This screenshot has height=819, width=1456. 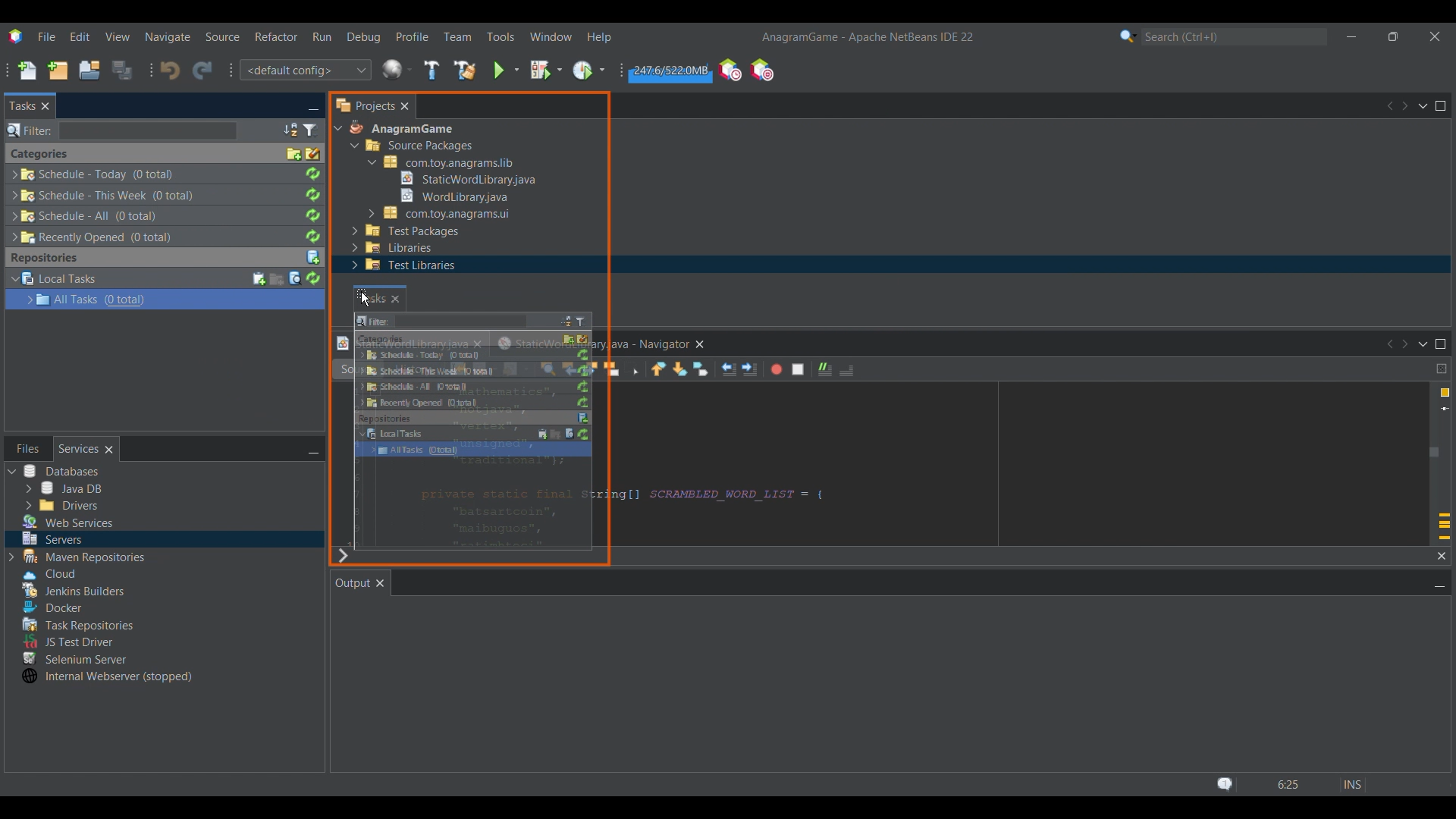 I want to click on , so click(x=441, y=162).